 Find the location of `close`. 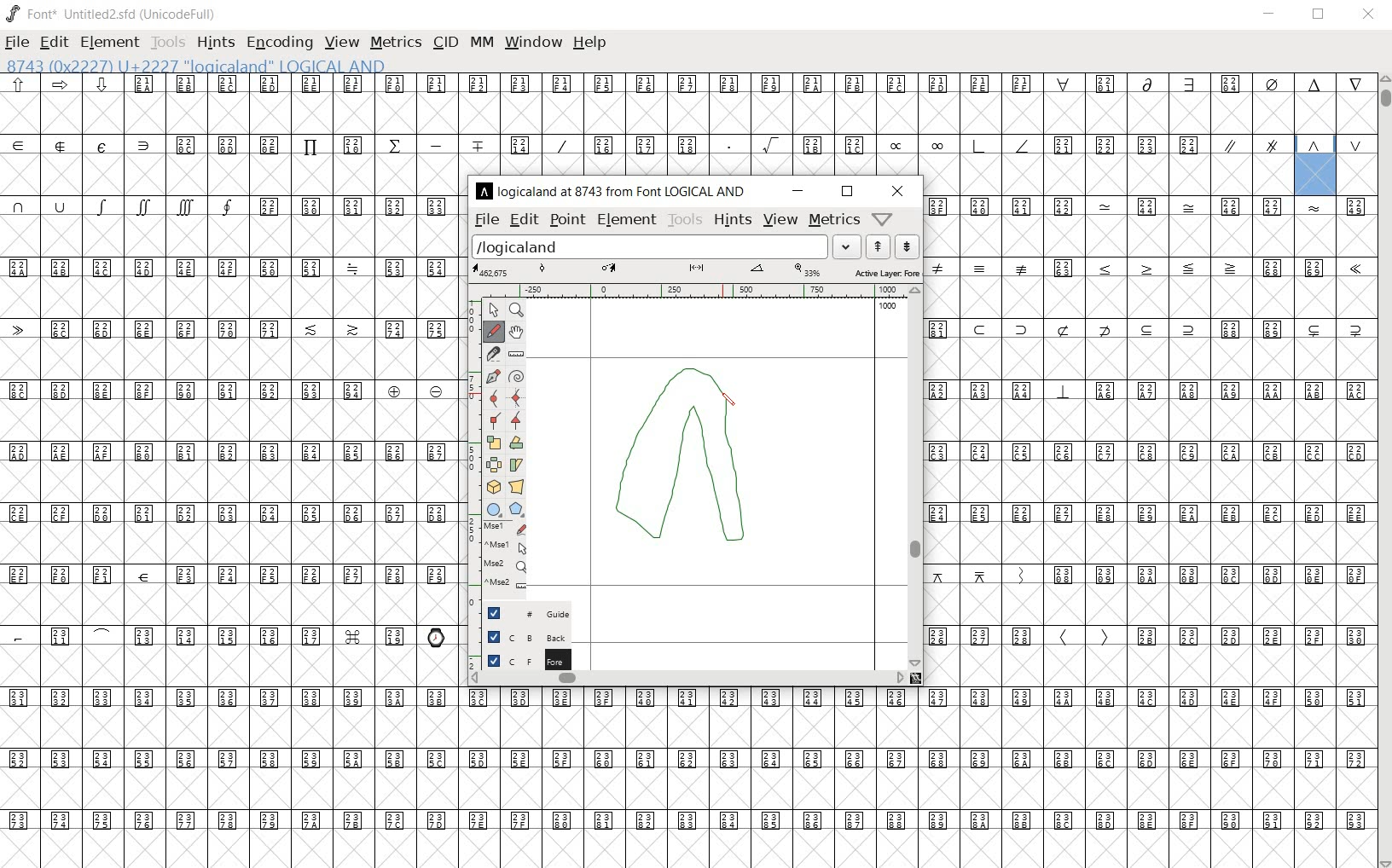

close is located at coordinates (897, 191).